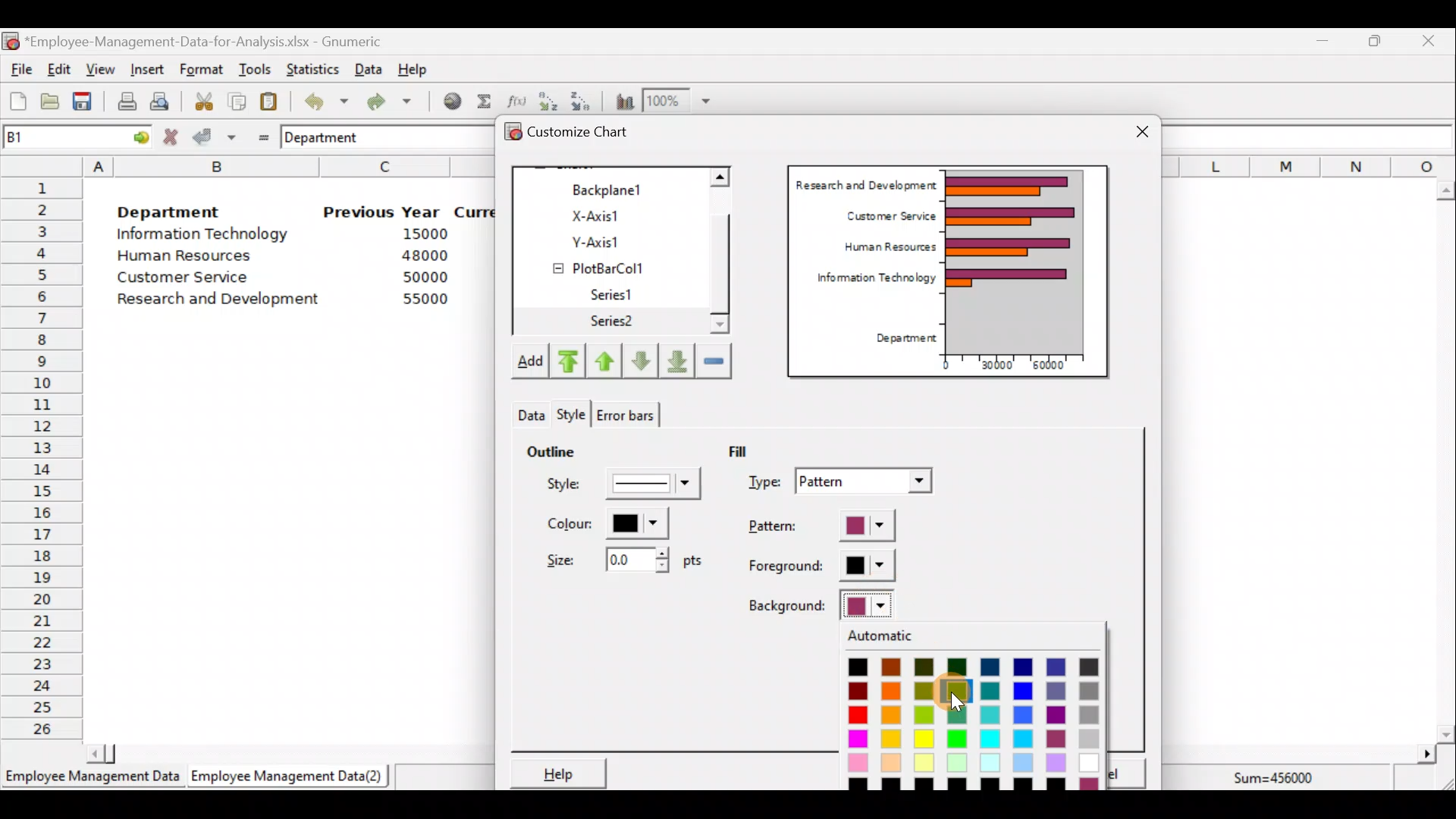 This screenshot has width=1456, height=819. Describe the element at coordinates (318, 98) in the screenshot. I see `Undo last action` at that location.